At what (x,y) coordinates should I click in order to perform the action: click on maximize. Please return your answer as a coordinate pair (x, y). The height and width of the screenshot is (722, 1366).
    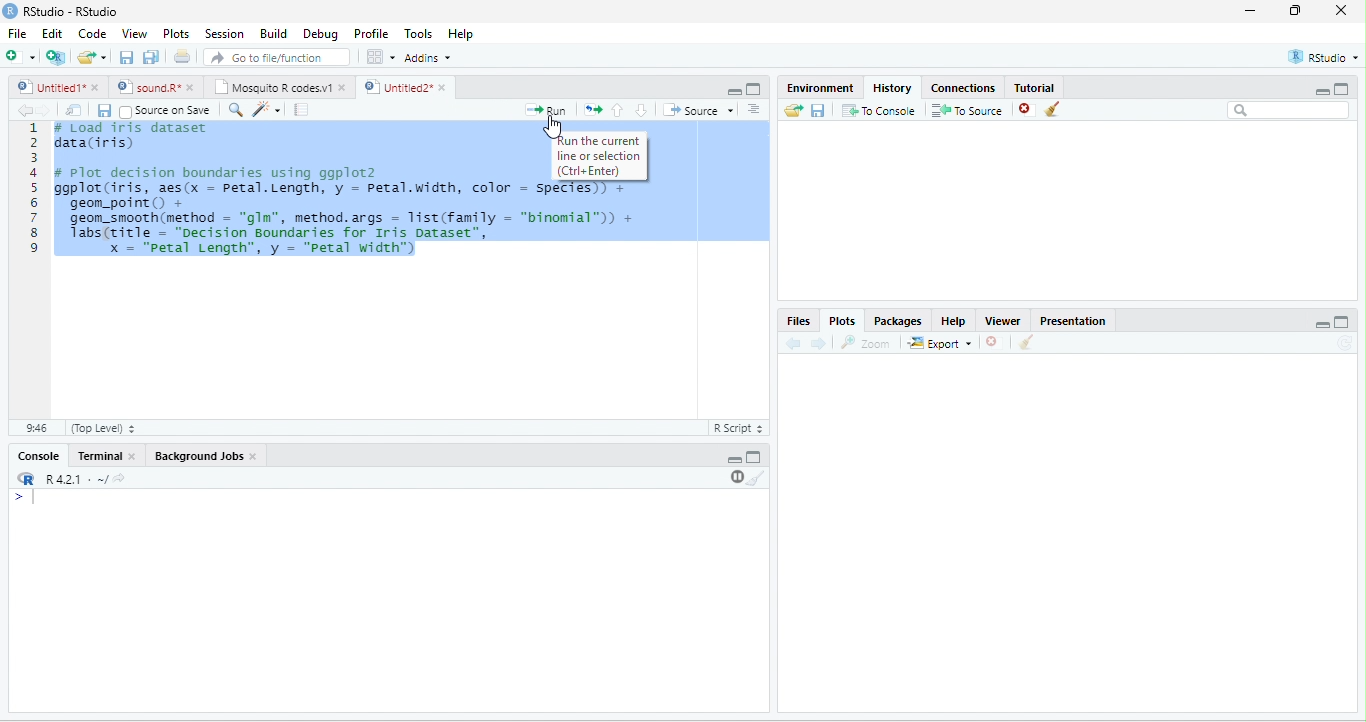
    Looking at the image, I should click on (1342, 88).